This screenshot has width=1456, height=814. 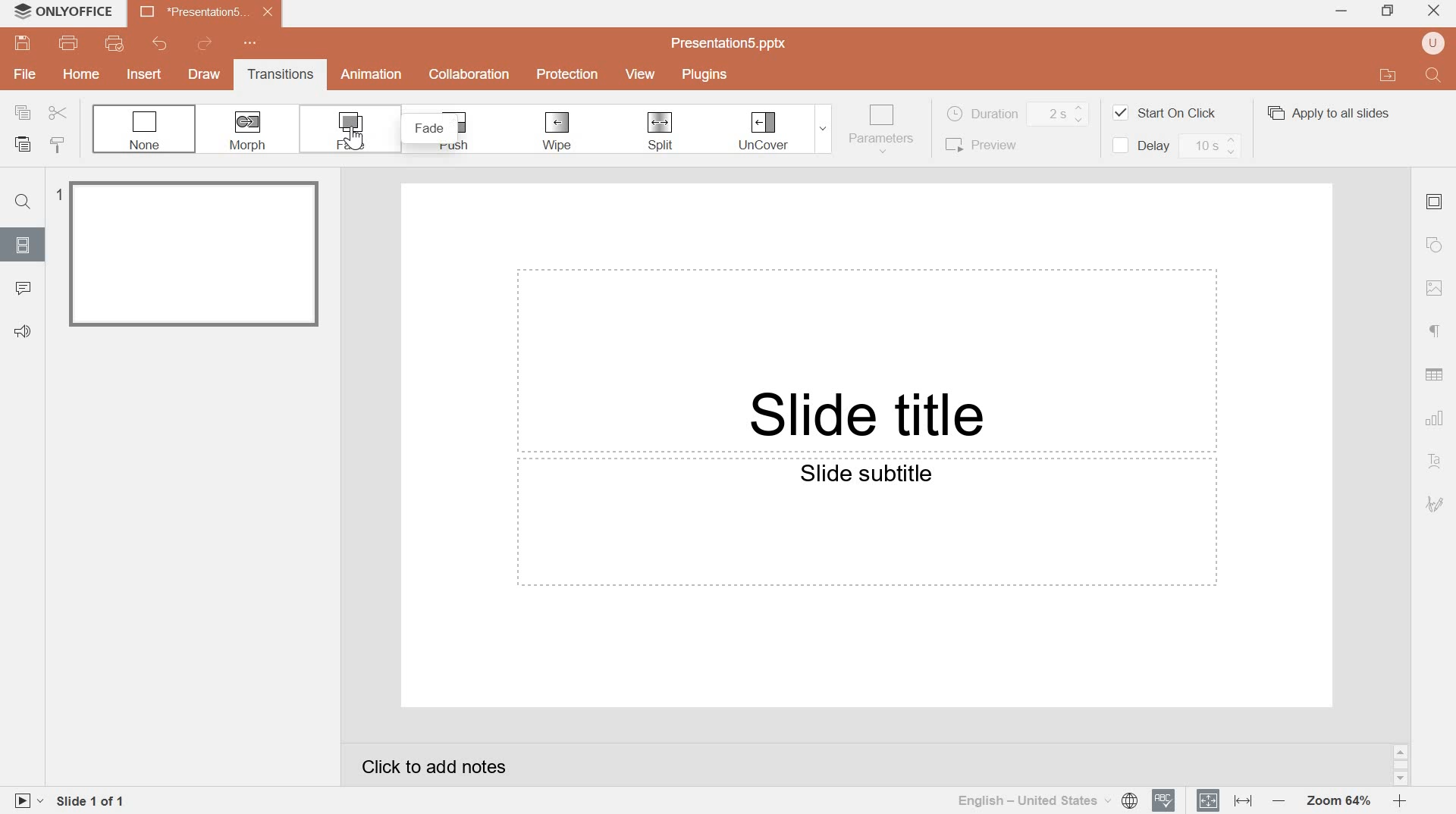 What do you see at coordinates (115, 42) in the screenshot?
I see `Quick print` at bounding box center [115, 42].